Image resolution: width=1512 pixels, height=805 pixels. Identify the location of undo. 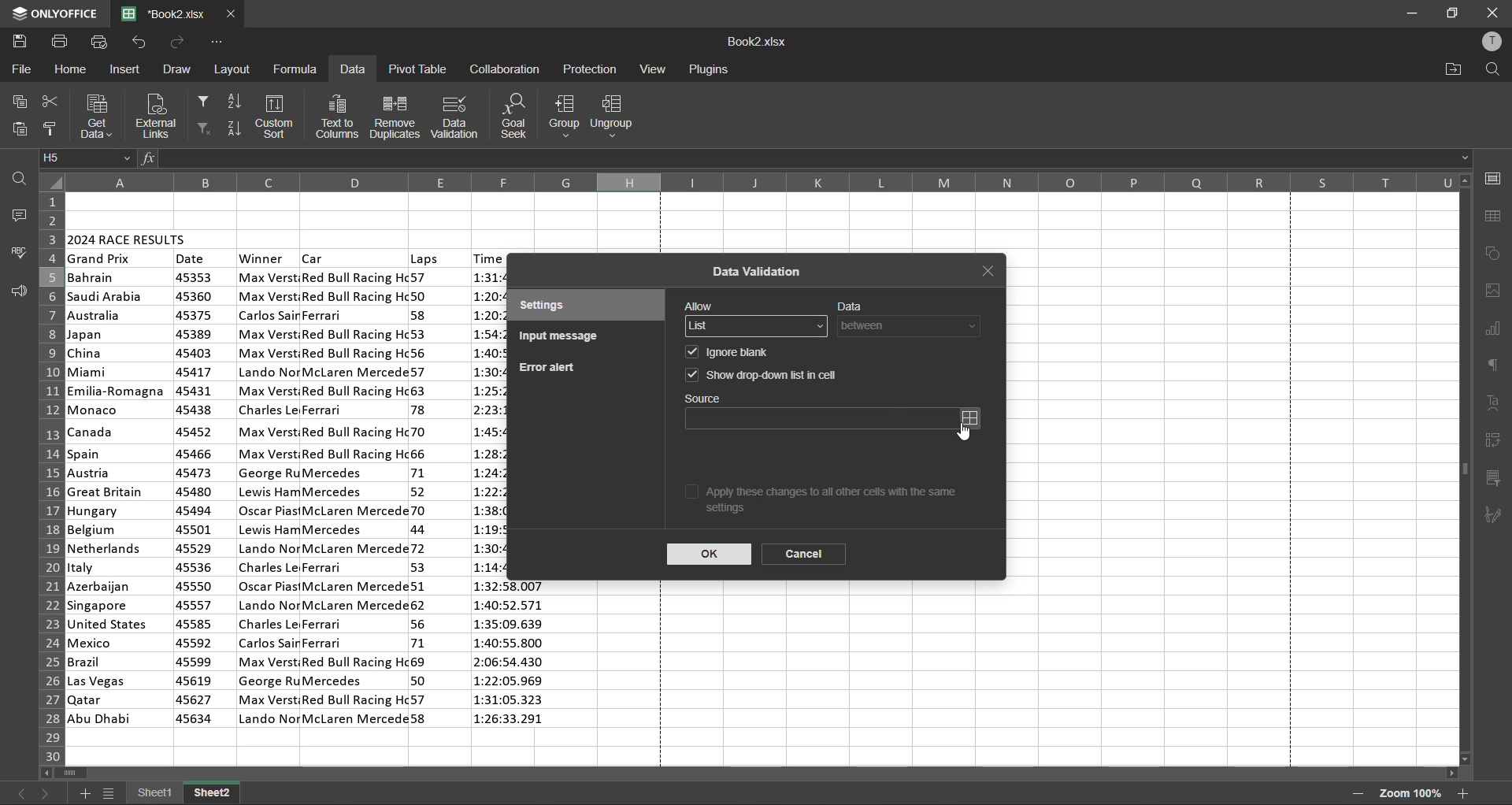
(138, 42).